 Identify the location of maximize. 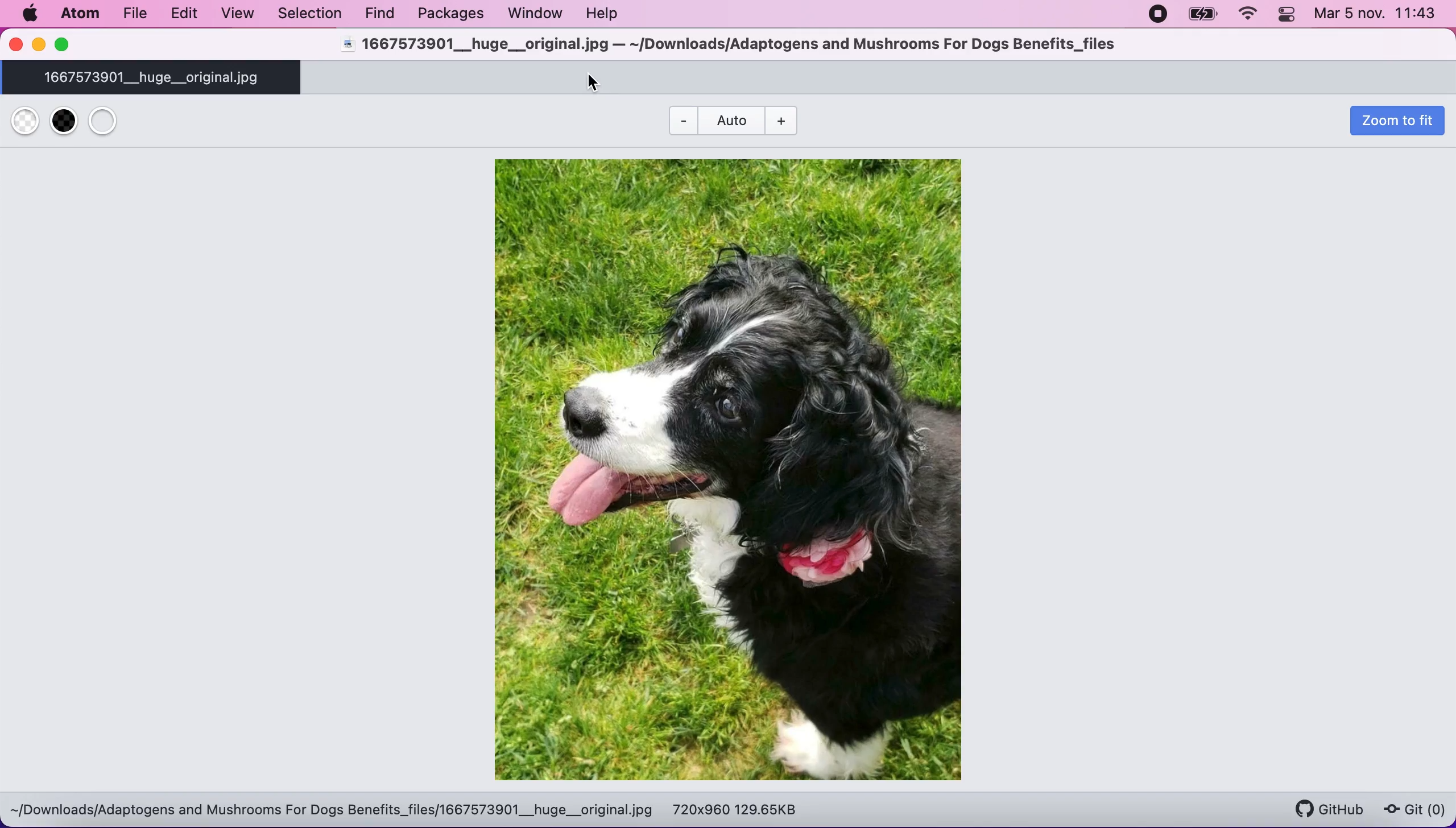
(73, 45).